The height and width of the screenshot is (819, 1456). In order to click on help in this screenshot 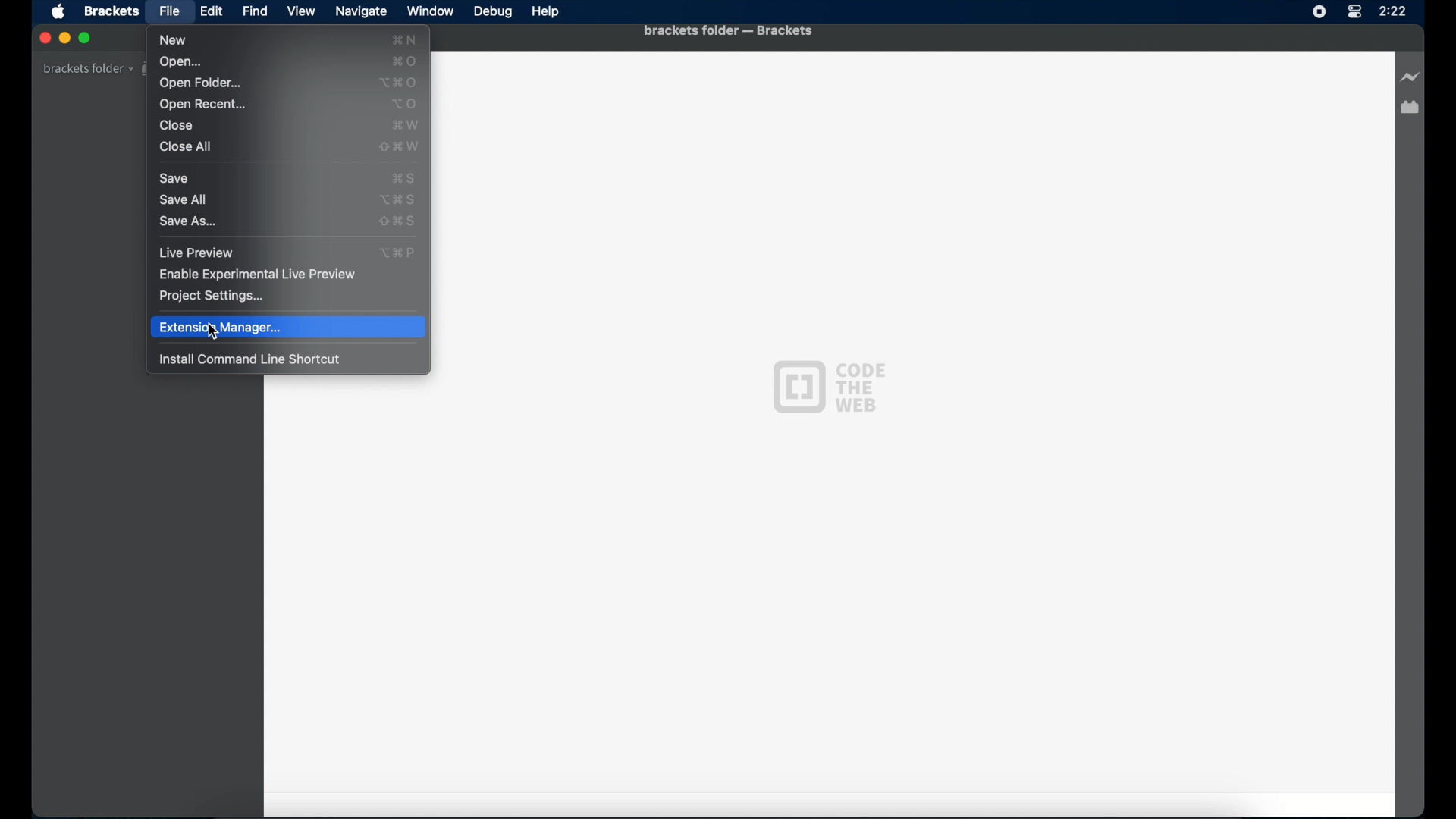, I will do `click(546, 12)`.